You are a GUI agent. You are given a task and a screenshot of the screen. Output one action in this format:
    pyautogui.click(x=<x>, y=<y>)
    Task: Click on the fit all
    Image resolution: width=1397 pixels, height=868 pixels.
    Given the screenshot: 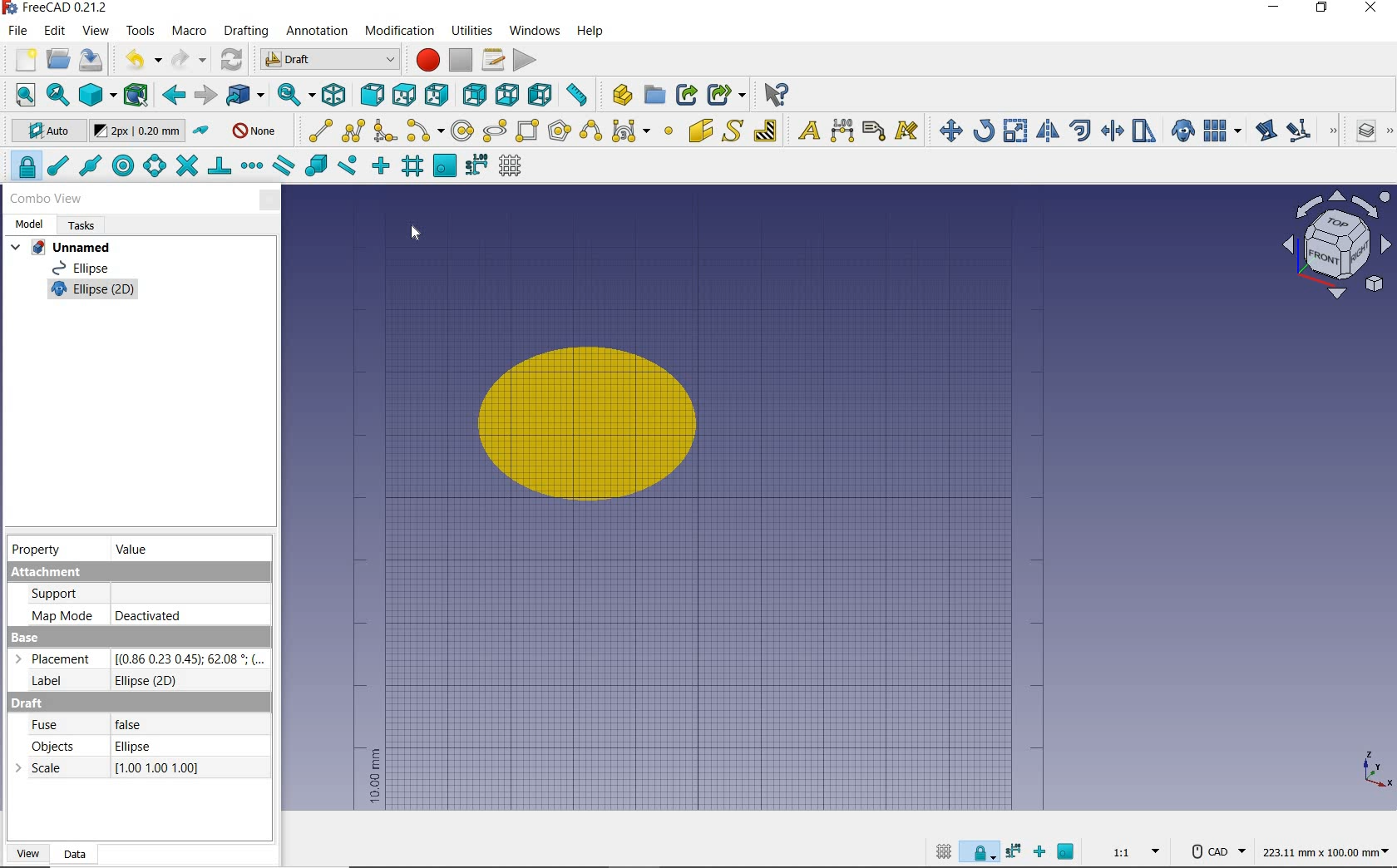 What is the action you would take?
    pyautogui.click(x=19, y=94)
    